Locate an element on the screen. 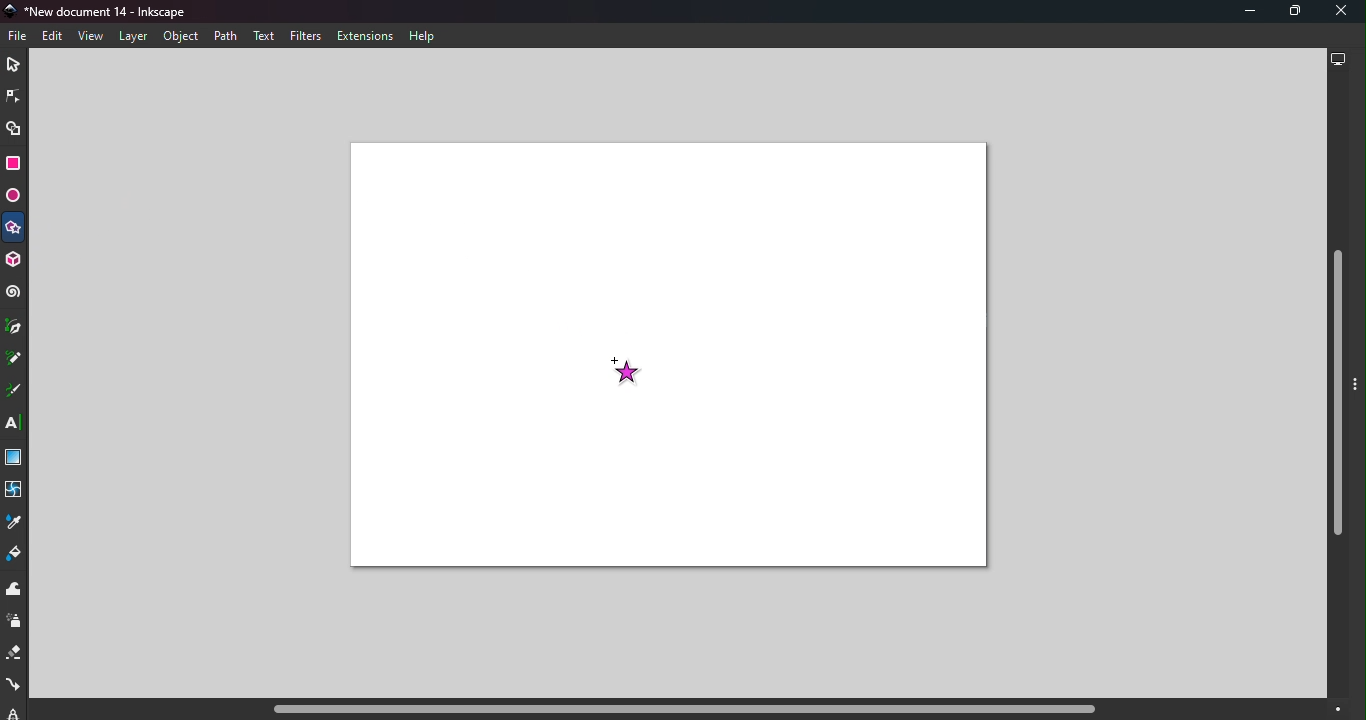 Image resolution: width=1366 pixels, height=720 pixels. Edit is located at coordinates (52, 37).